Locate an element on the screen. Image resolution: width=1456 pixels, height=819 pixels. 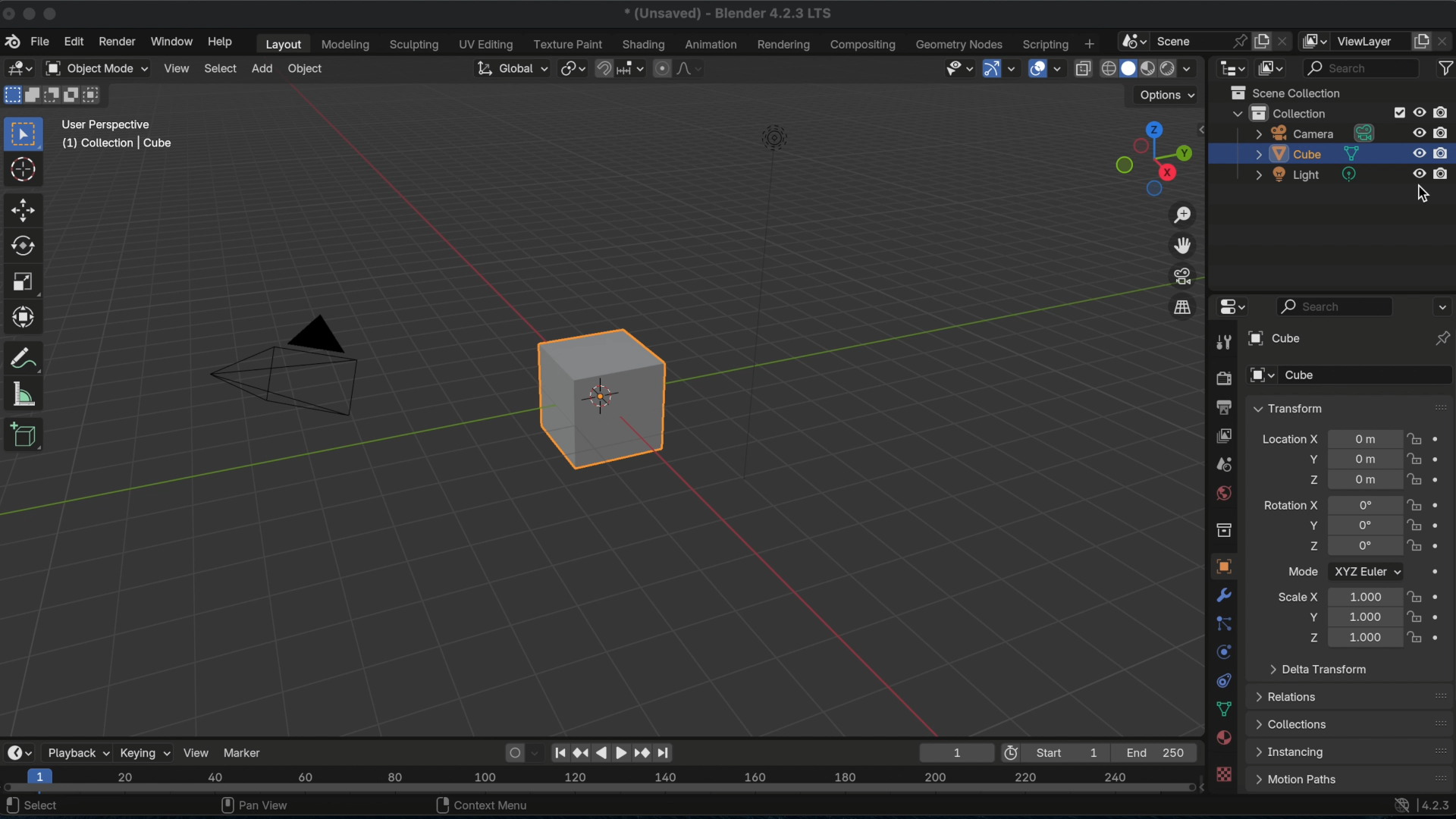
output is located at coordinates (1225, 406).